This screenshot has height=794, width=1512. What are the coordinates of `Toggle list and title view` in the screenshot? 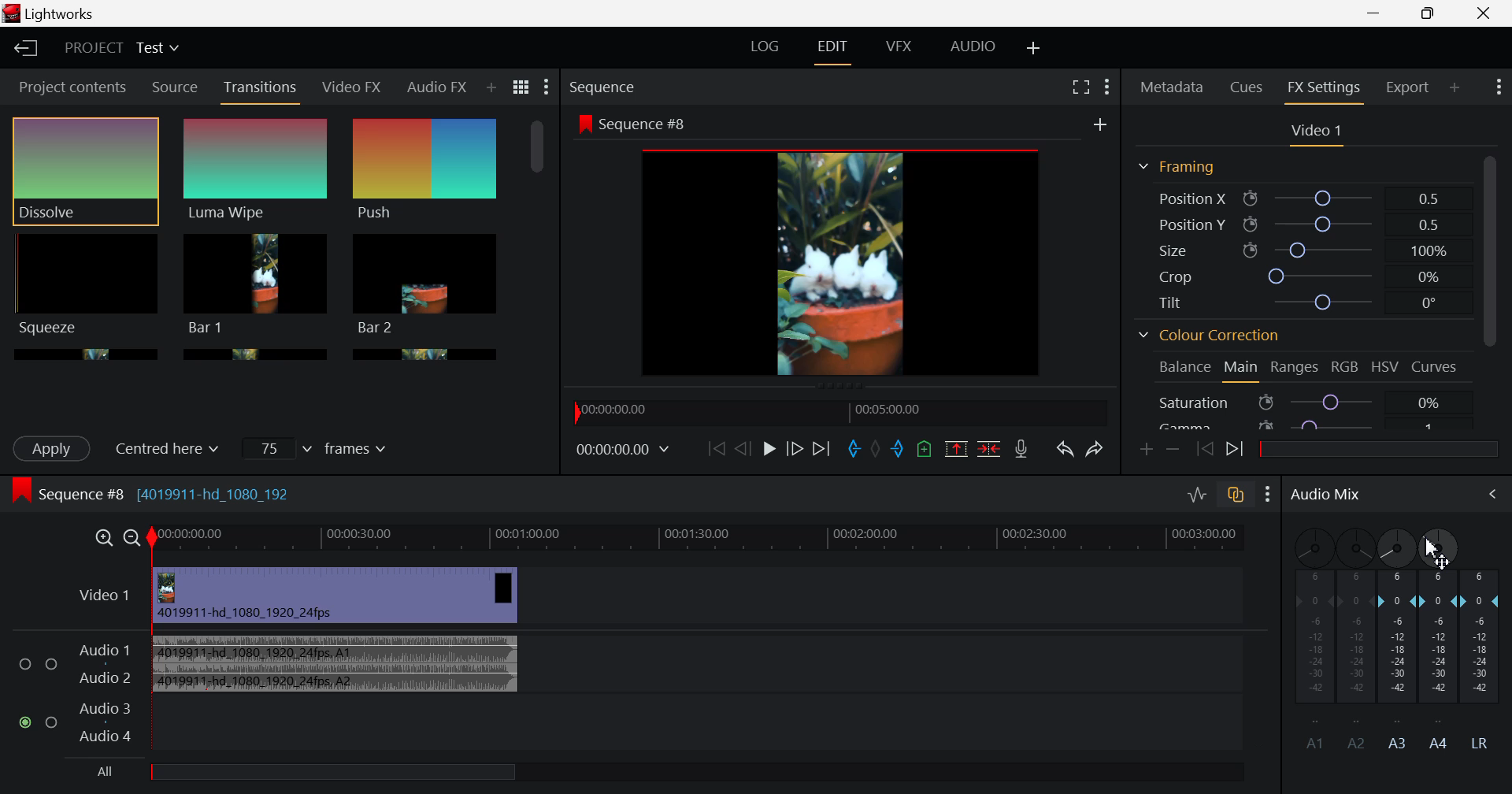 It's located at (523, 88).